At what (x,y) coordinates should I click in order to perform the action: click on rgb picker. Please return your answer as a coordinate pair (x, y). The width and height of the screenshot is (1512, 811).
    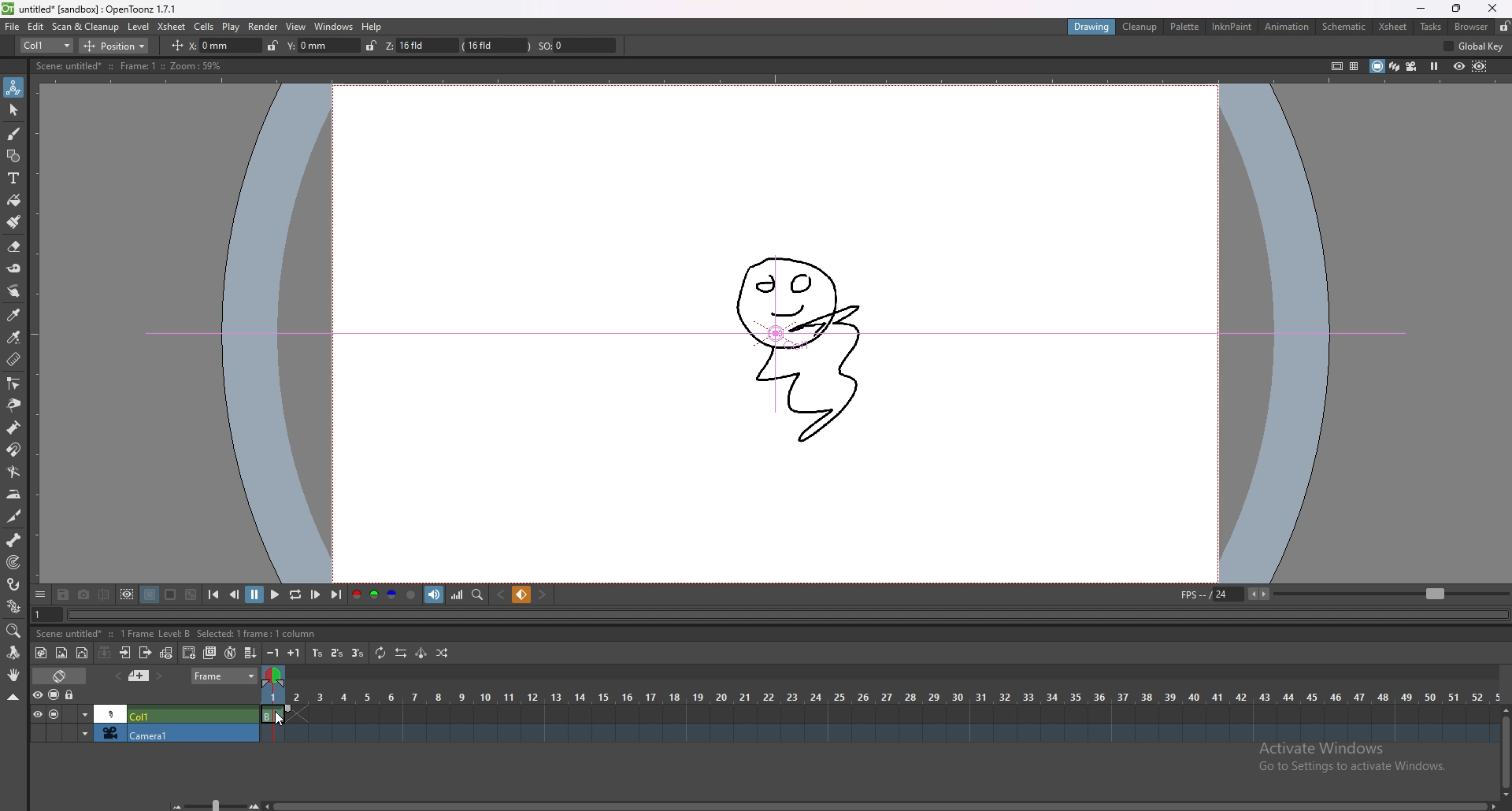
    Looking at the image, I should click on (13, 337).